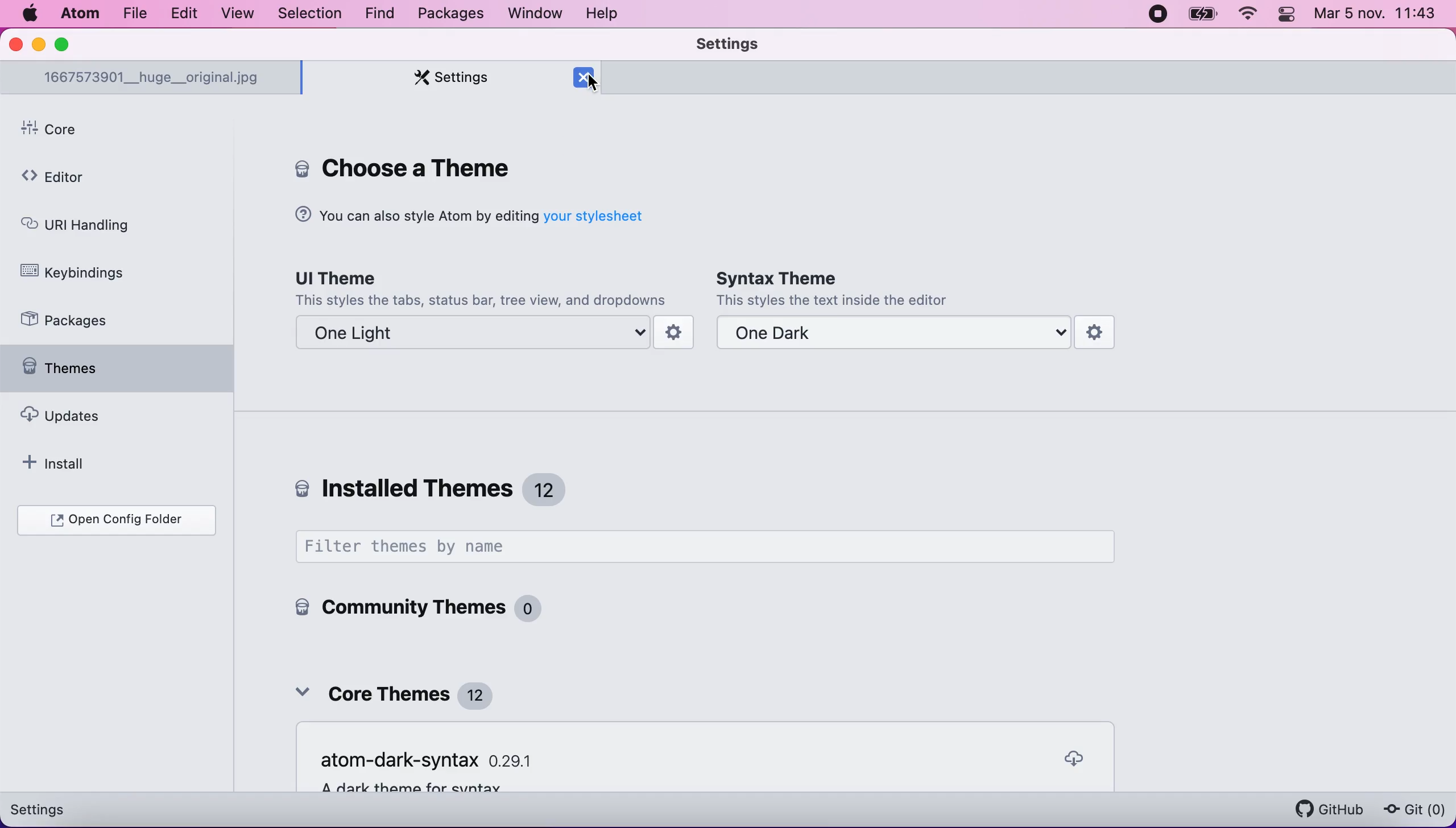 Image resolution: width=1456 pixels, height=828 pixels. I want to click on cursor, so click(588, 79).